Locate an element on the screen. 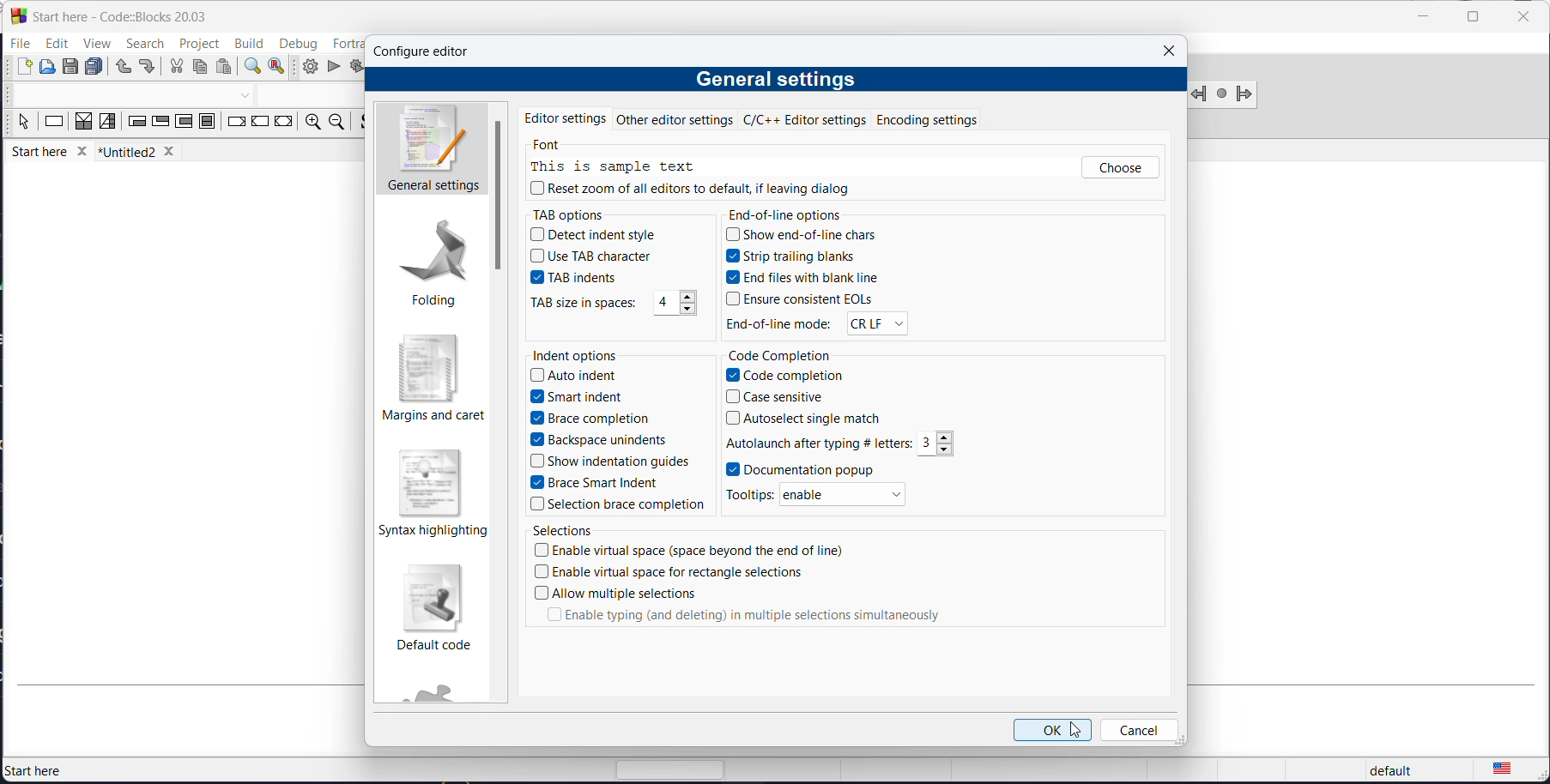  fortran is located at coordinates (347, 43).